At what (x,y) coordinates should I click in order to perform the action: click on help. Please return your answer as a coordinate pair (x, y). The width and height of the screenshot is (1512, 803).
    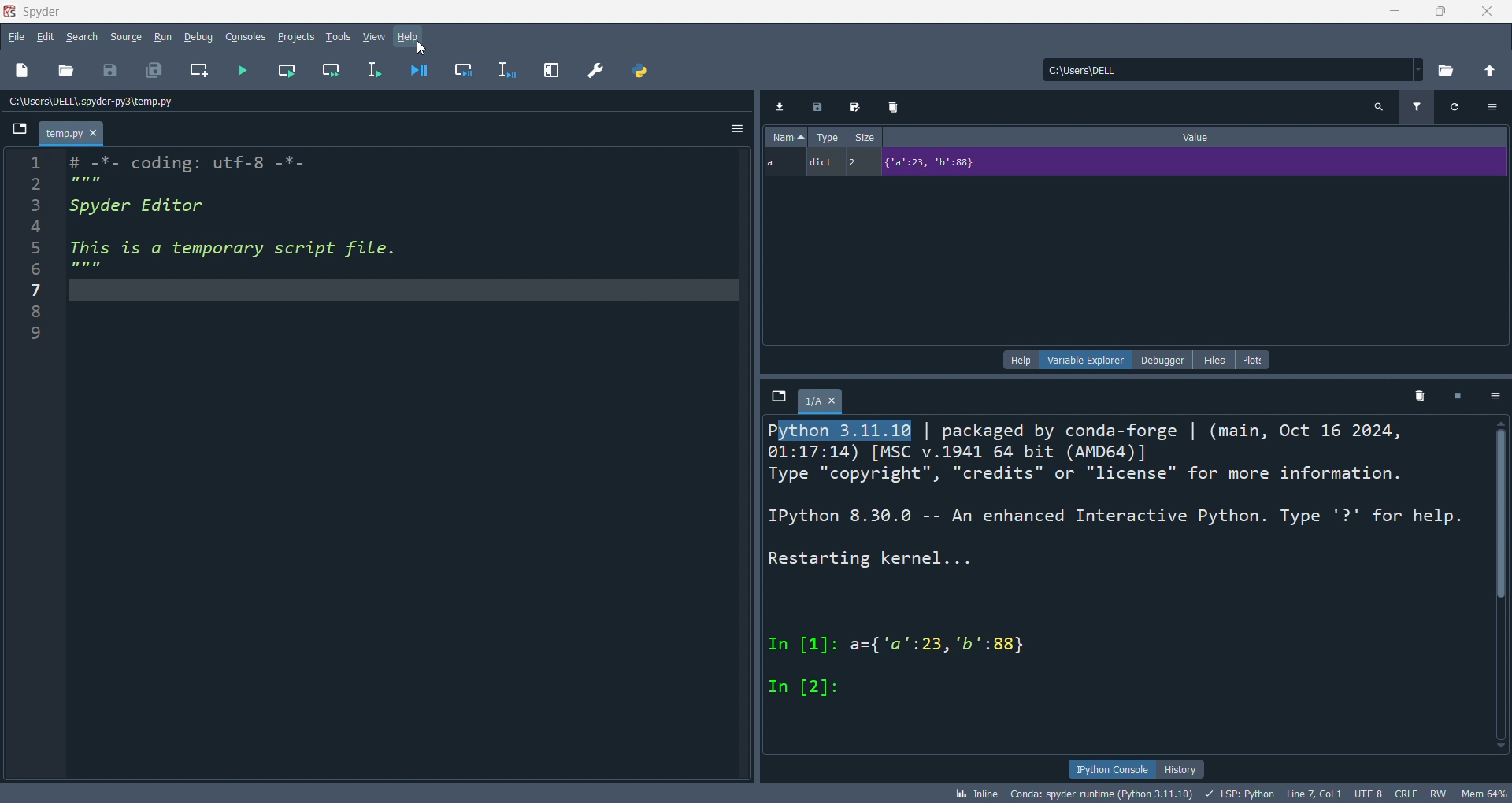
    Looking at the image, I should click on (1021, 359).